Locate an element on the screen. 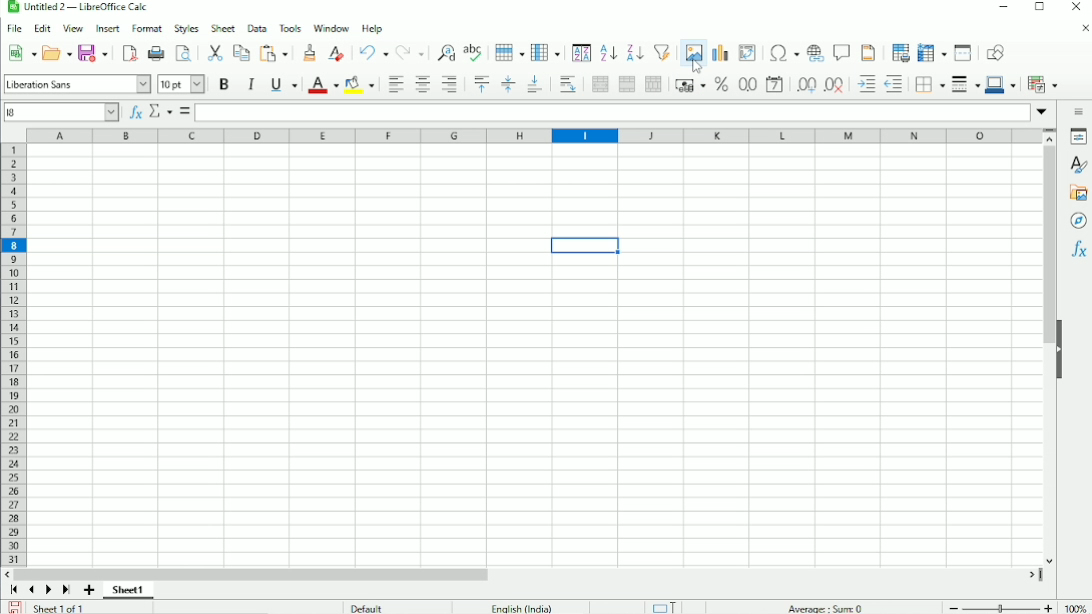  Average: Sum 0 is located at coordinates (824, 606).